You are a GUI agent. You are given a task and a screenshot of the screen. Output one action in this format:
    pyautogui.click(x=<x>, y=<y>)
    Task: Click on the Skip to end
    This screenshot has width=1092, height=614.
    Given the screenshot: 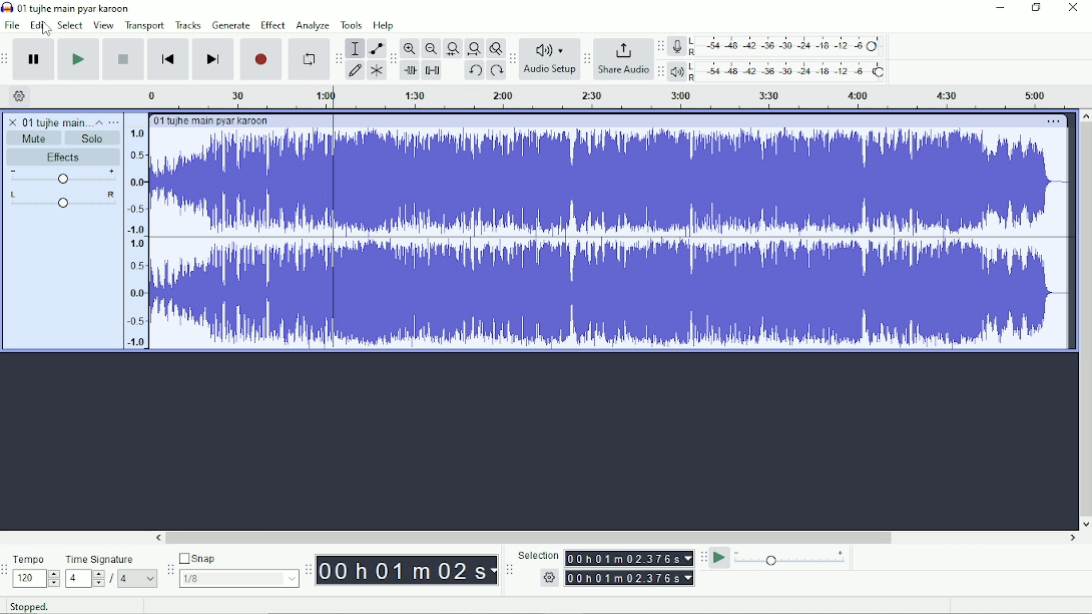 What is the action you would take?
    pyautogui.click(x=213, y=59)
    